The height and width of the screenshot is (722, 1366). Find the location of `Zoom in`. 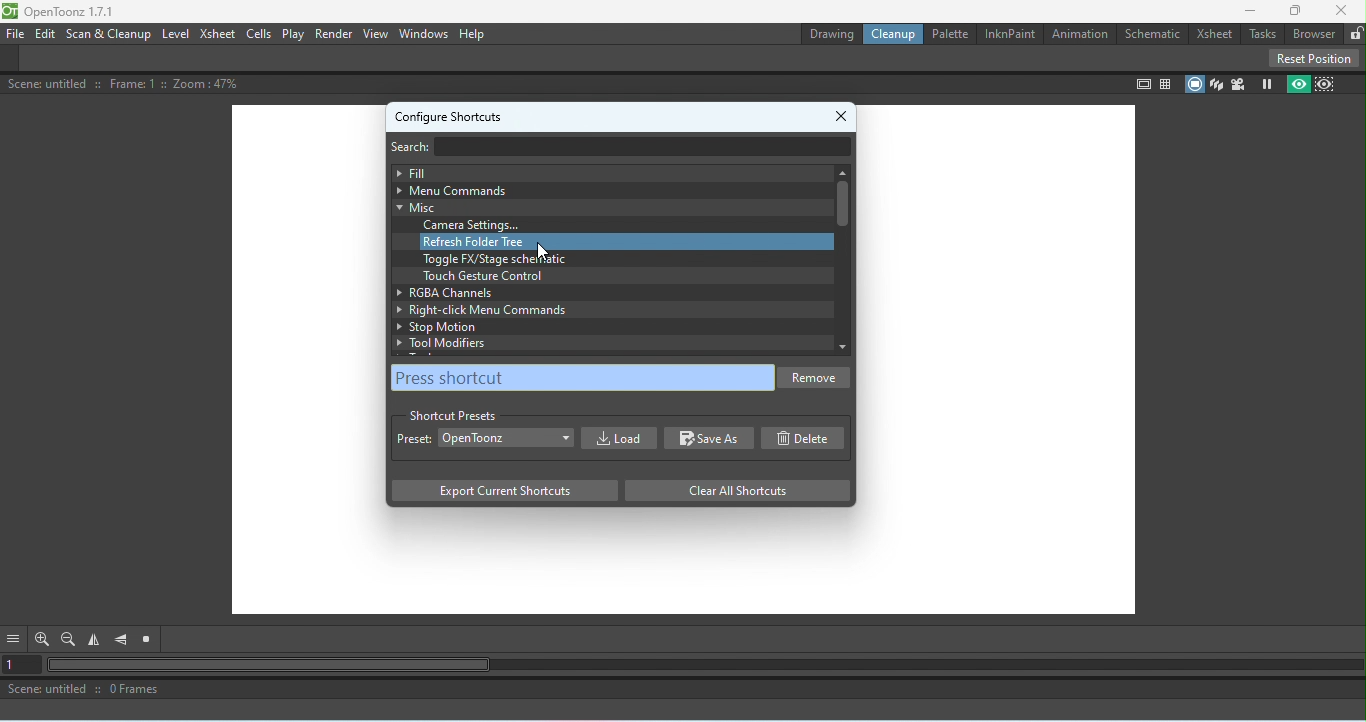

Zoom in is located at coordinates (40, 639).